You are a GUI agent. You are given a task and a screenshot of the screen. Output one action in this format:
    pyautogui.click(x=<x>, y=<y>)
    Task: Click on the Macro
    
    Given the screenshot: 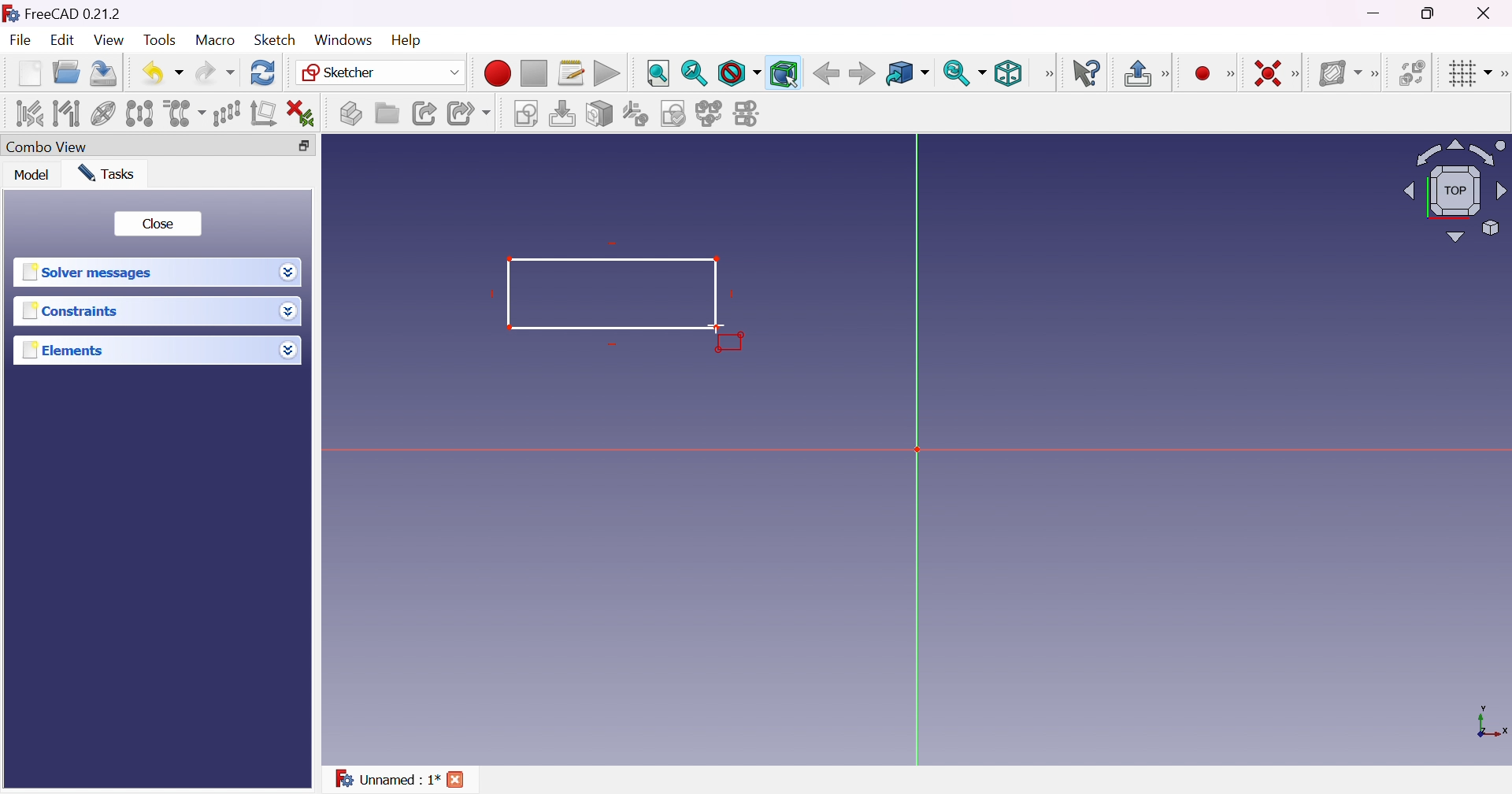 What is the action you would take?
    pyautogui.click(x=215, y=42)
    